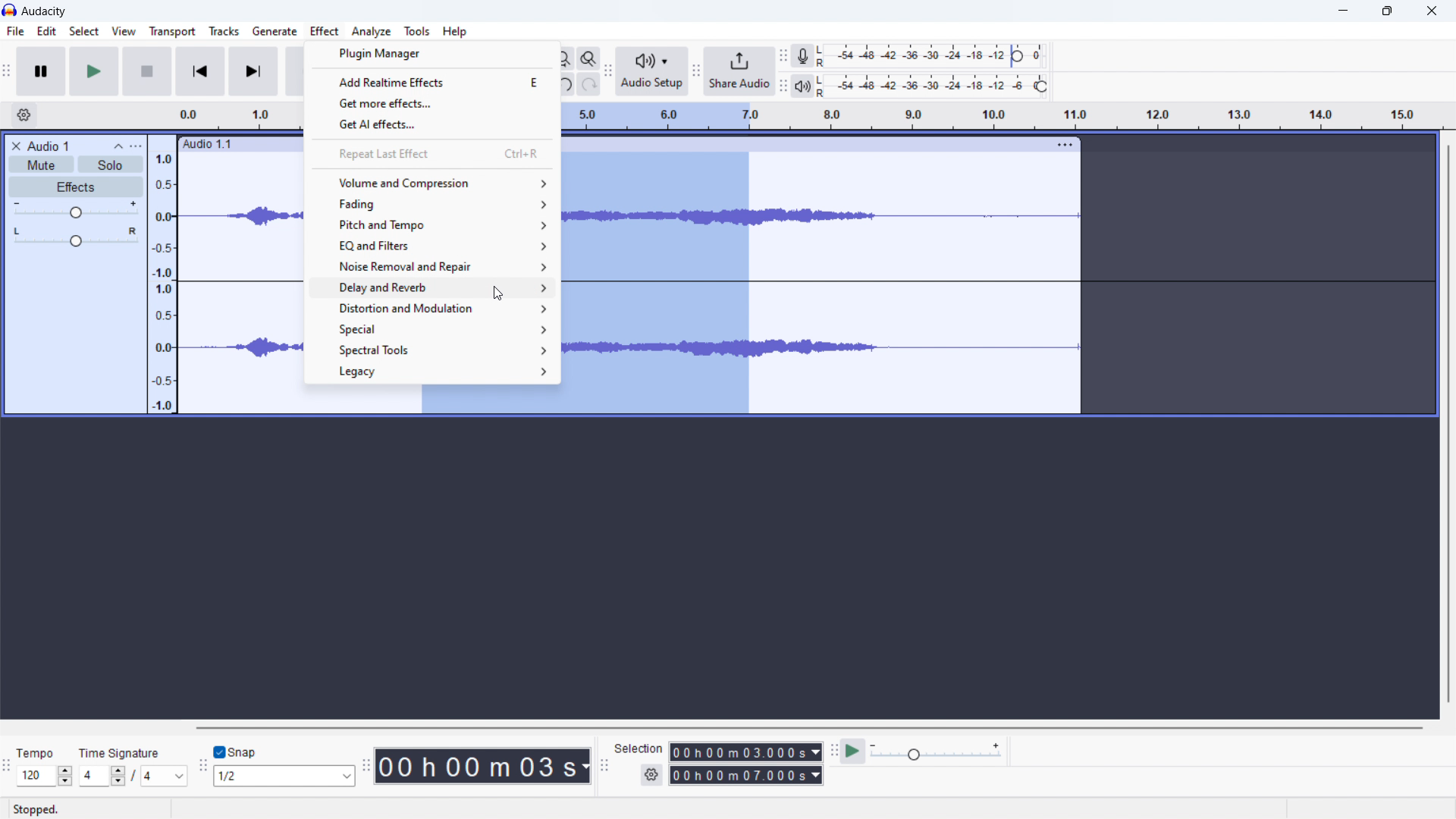 This screenshot has width=1456, height=819. What do you see at coordinates (76, 240) in the screenshot?
I see `pan: centre` at bounding box center [76, 240].